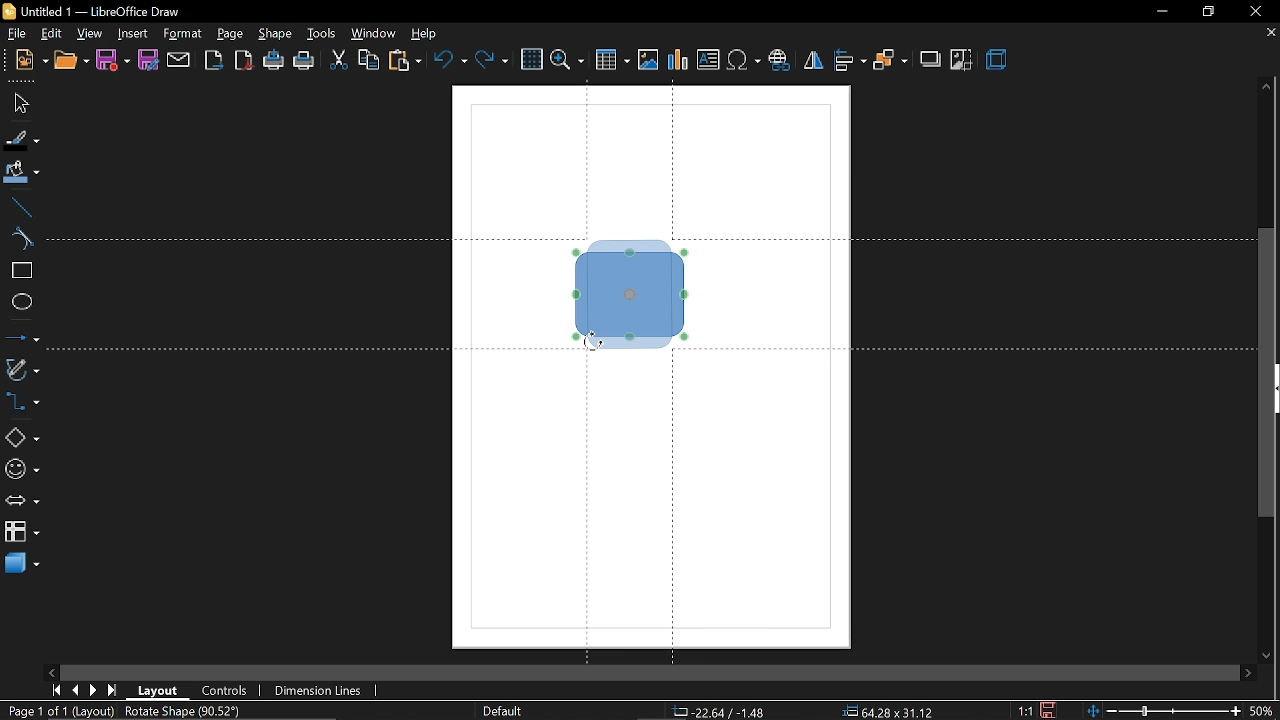  What do you see at coordinates (184, 35) in the screenshot?
I see `format` at bounding box center [184, 35].